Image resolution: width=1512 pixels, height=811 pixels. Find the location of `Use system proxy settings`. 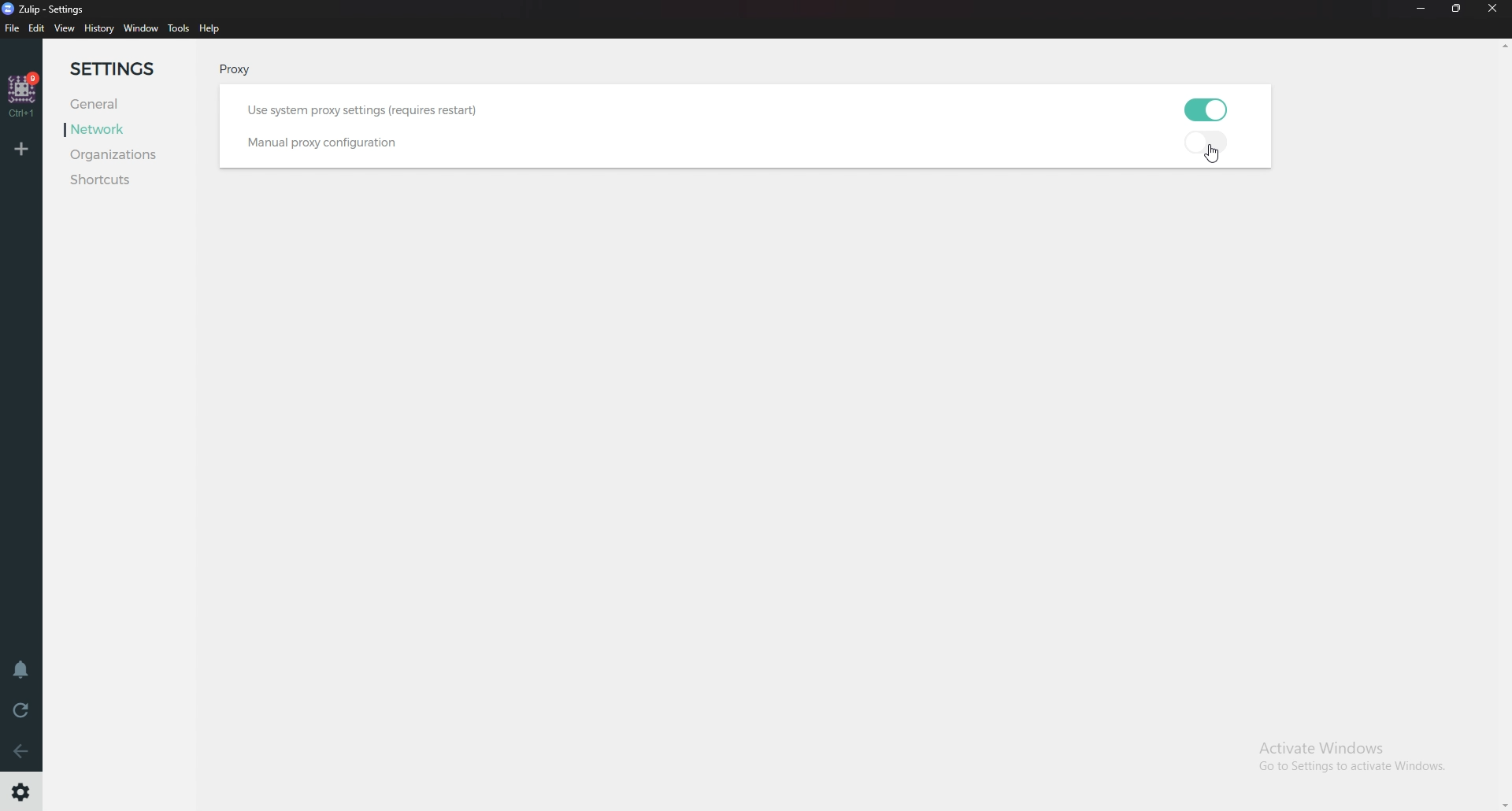

Use system proxy settings is located at coordinates (386, 109).